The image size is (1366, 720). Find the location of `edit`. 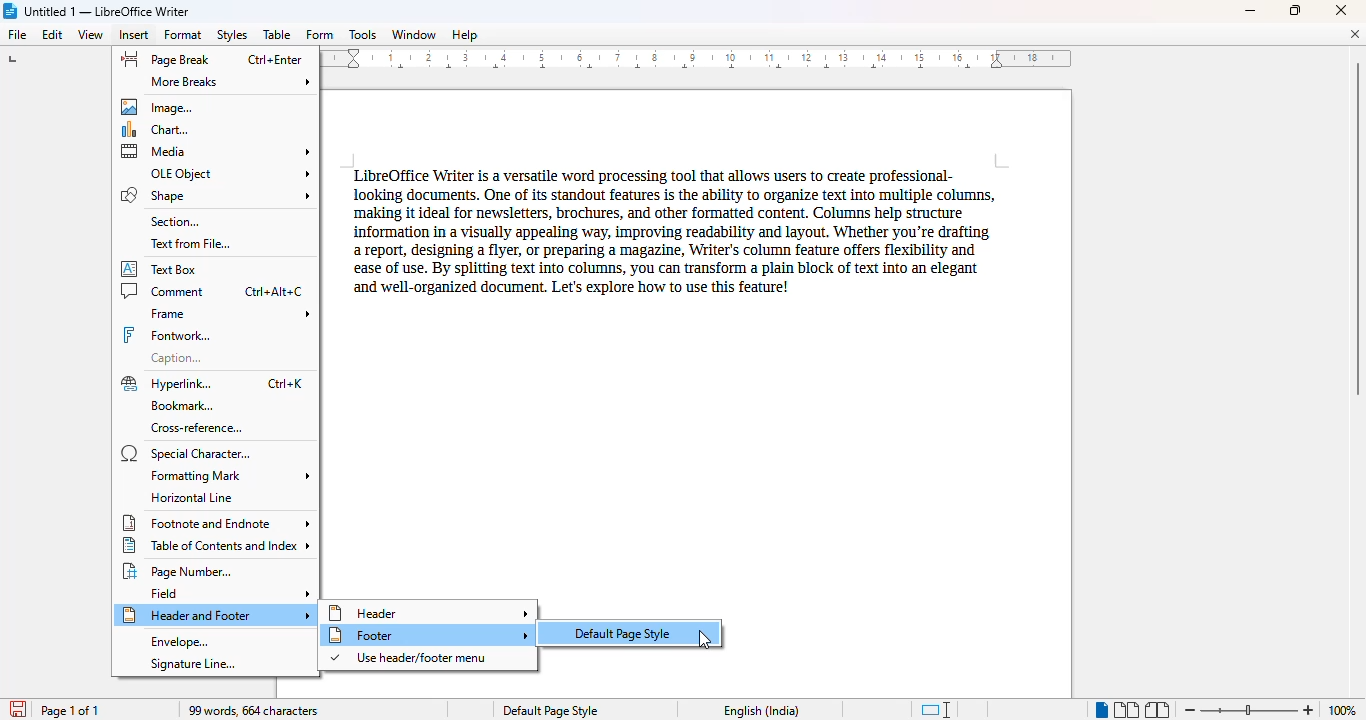

edit is located at coordinates (53, 35).